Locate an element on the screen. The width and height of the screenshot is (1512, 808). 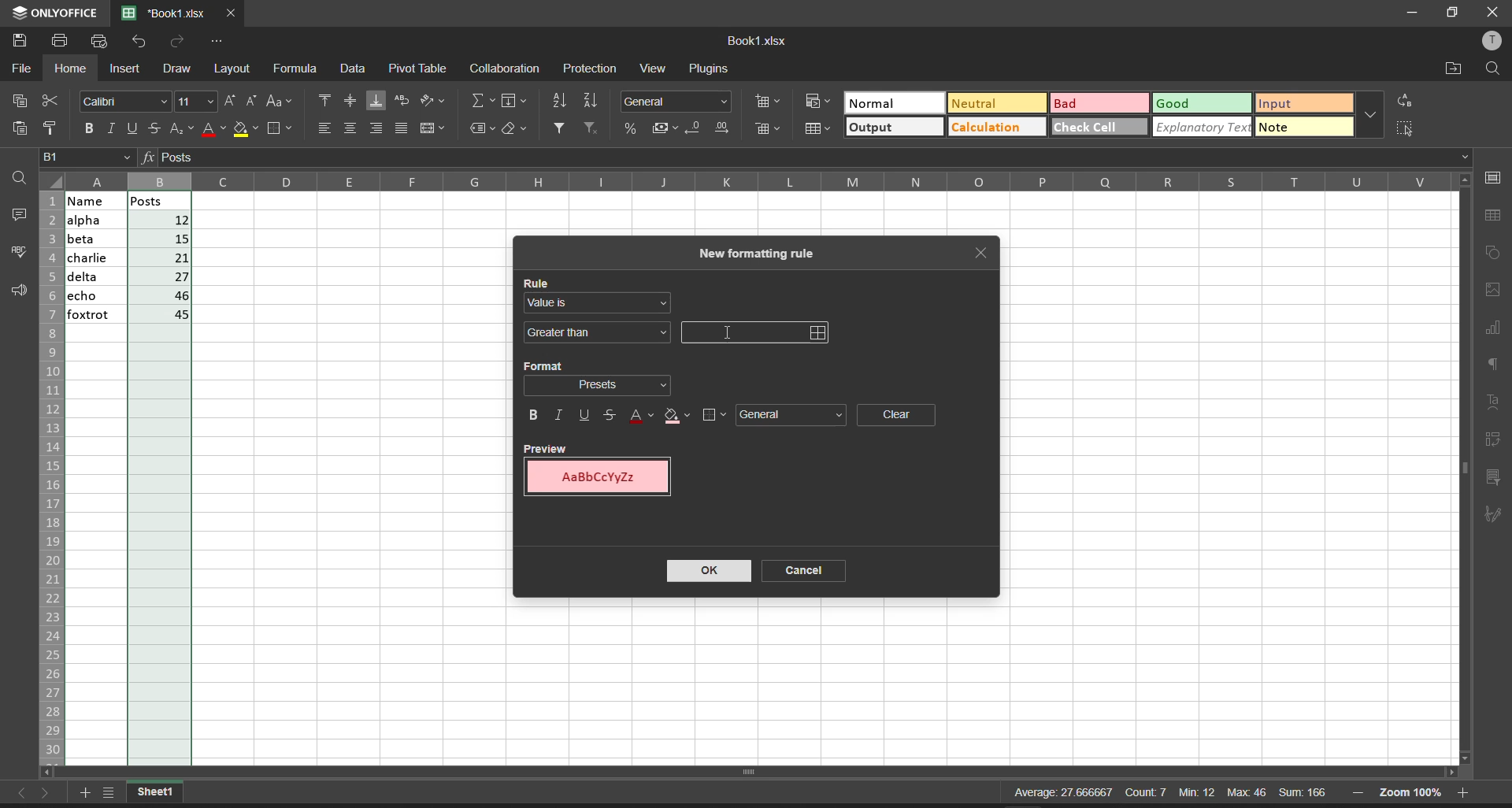
row name is located at coordinates (54, 473).